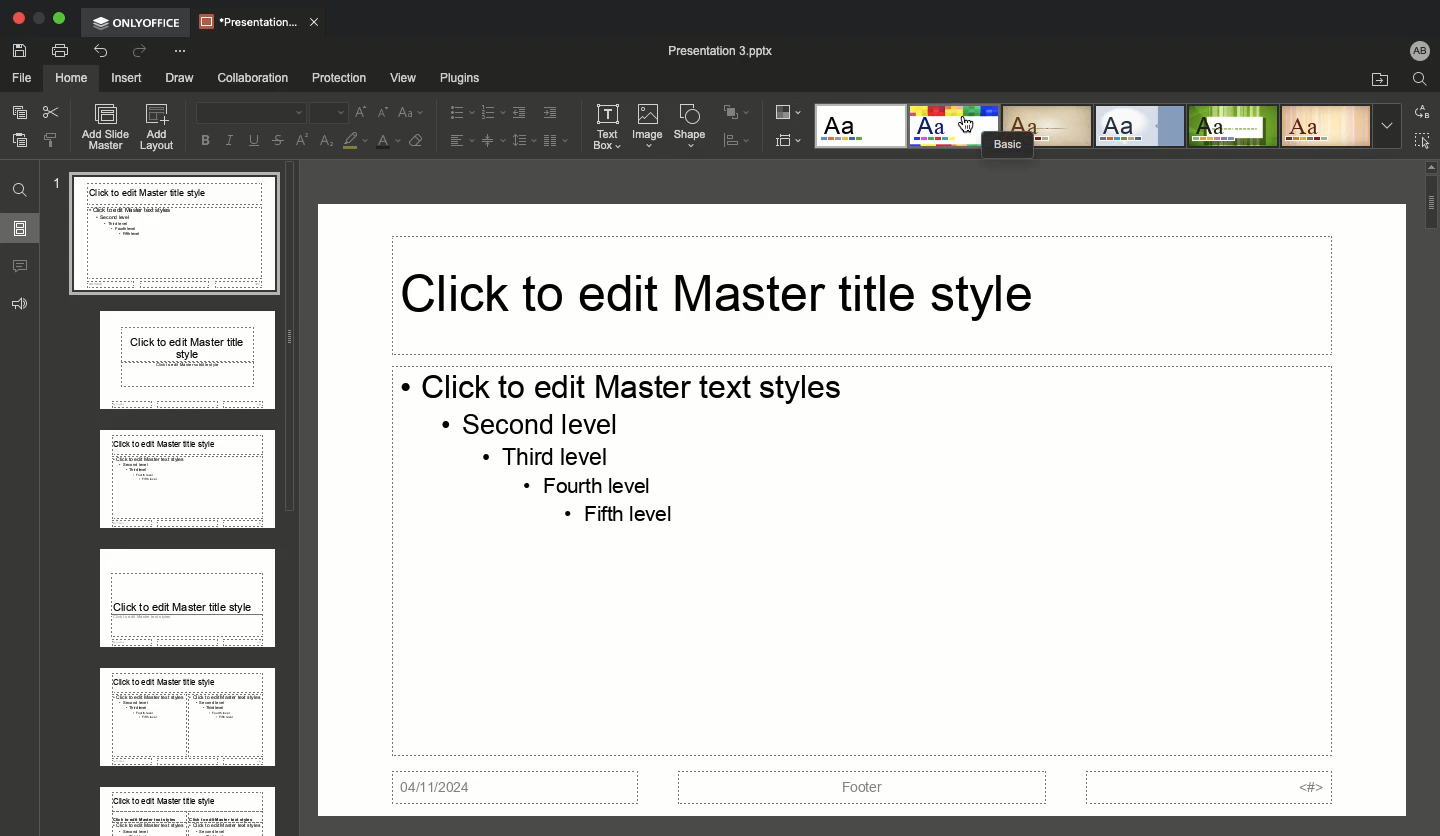 The height and width of the screenshot is (836, 1440). Describe the element at coordinates (735, 50) in the screenshot. I see `Presentation 3 pptx.` at that location.